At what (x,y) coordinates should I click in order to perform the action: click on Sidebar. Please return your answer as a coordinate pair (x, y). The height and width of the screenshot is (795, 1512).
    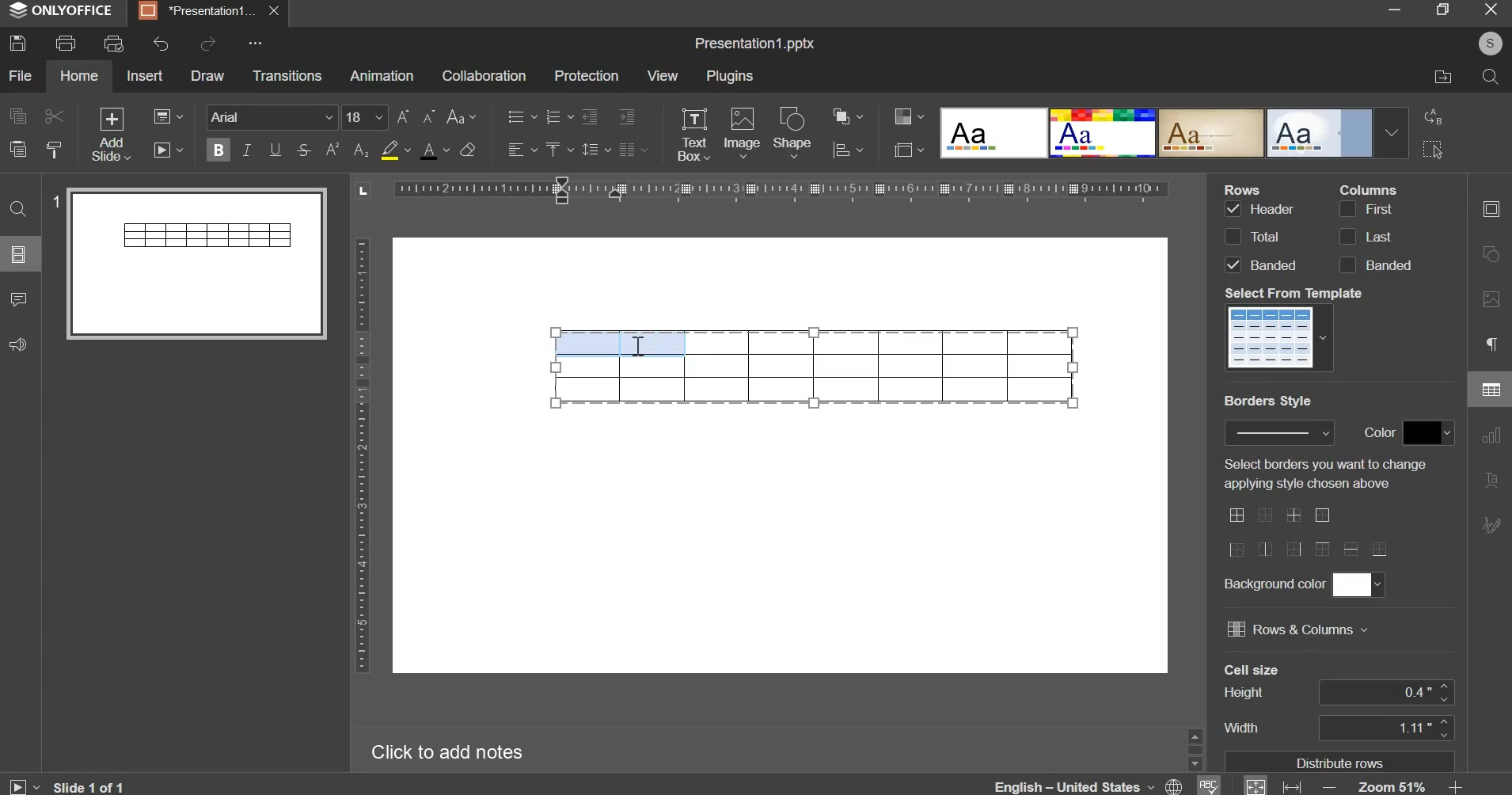
    Looking at the image, I should click on (1194, 747).